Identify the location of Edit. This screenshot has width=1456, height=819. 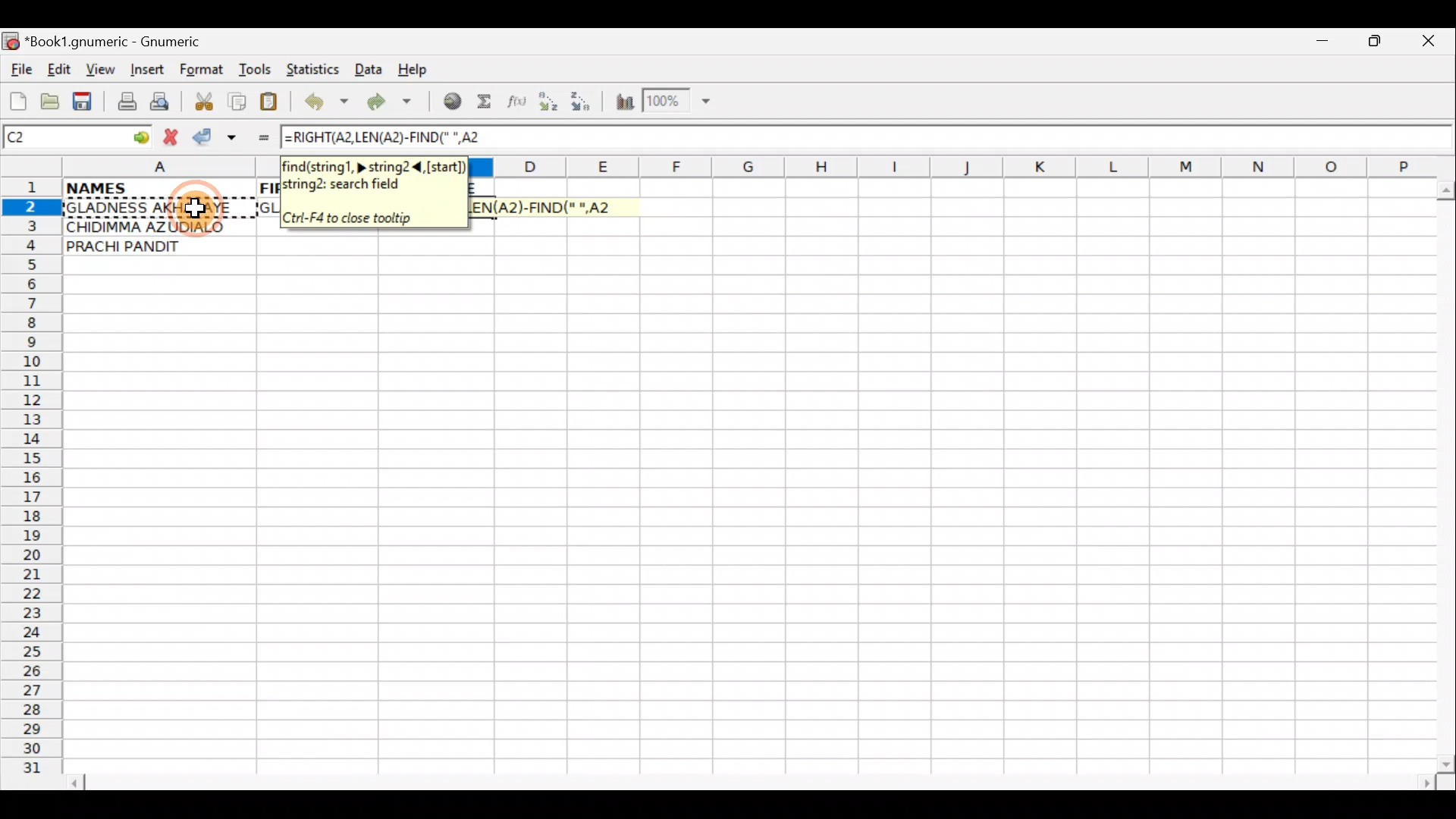
(58, 69).